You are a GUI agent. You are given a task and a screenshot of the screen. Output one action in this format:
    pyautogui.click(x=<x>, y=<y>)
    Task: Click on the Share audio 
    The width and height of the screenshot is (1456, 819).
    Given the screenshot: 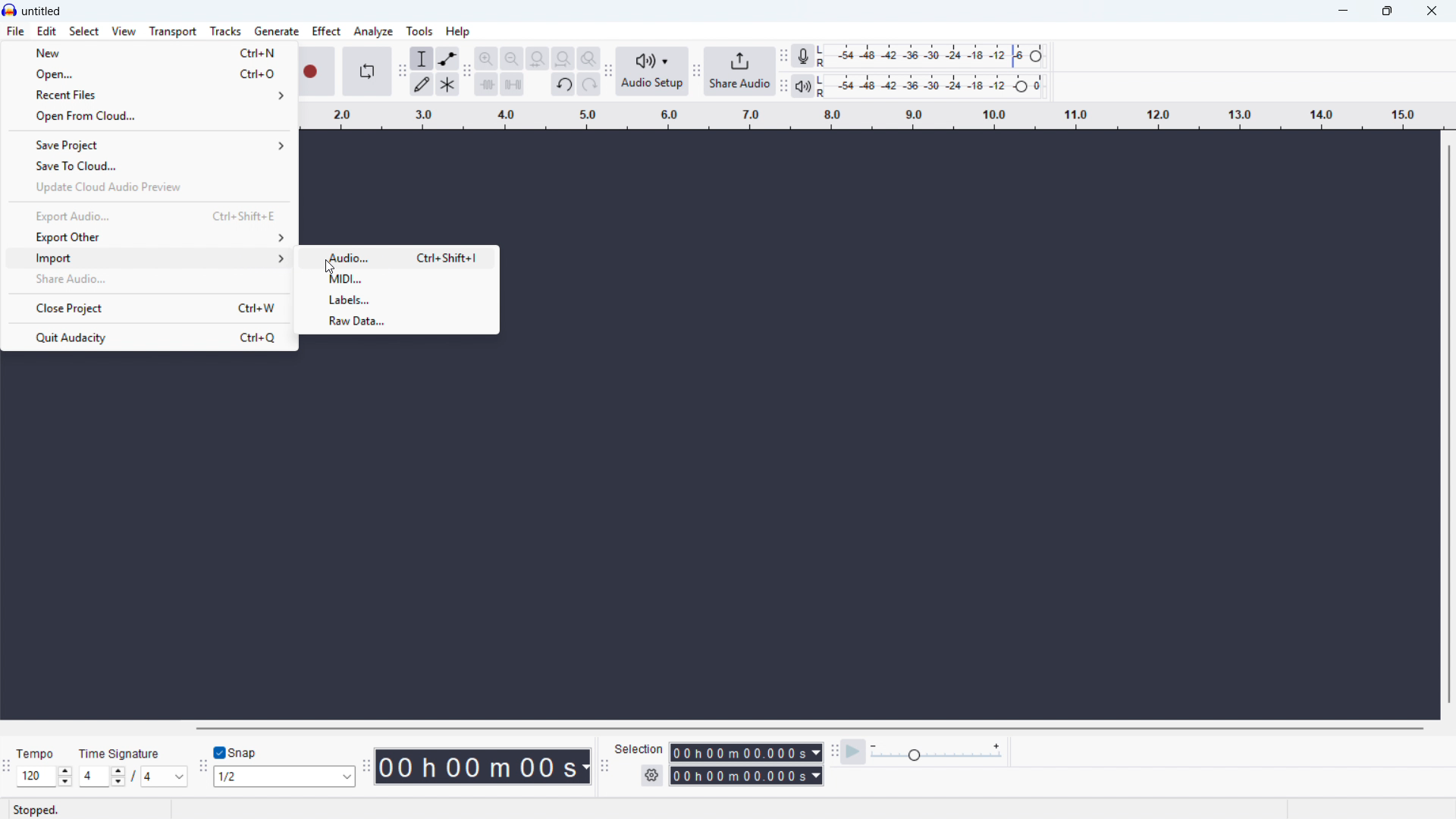 What is the action you would take?
    pyautogui.click(x=147, y=279)
    